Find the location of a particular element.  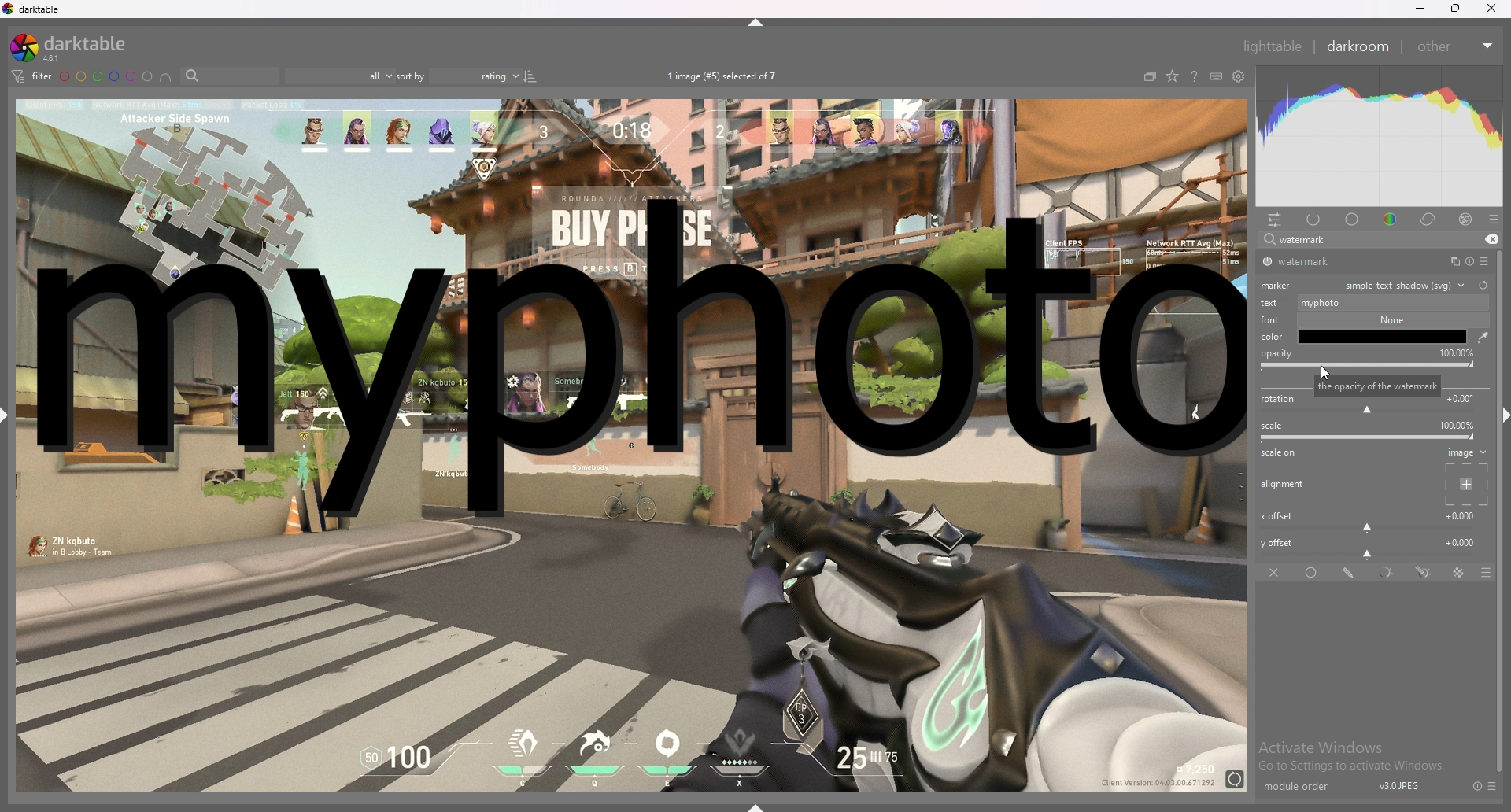

marker is located at coordinates (1279, 284).